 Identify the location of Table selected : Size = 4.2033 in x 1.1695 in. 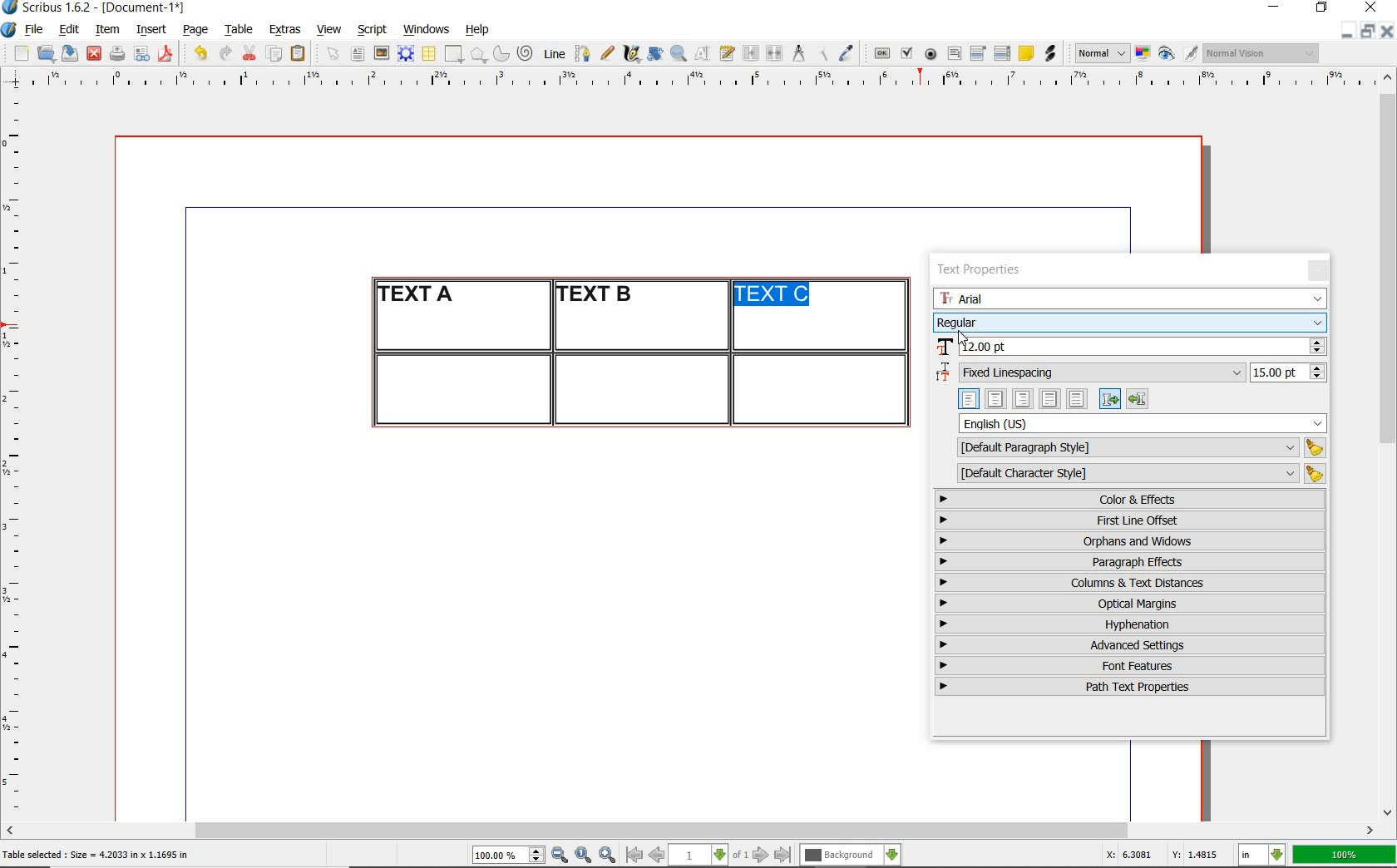
(96, 854).